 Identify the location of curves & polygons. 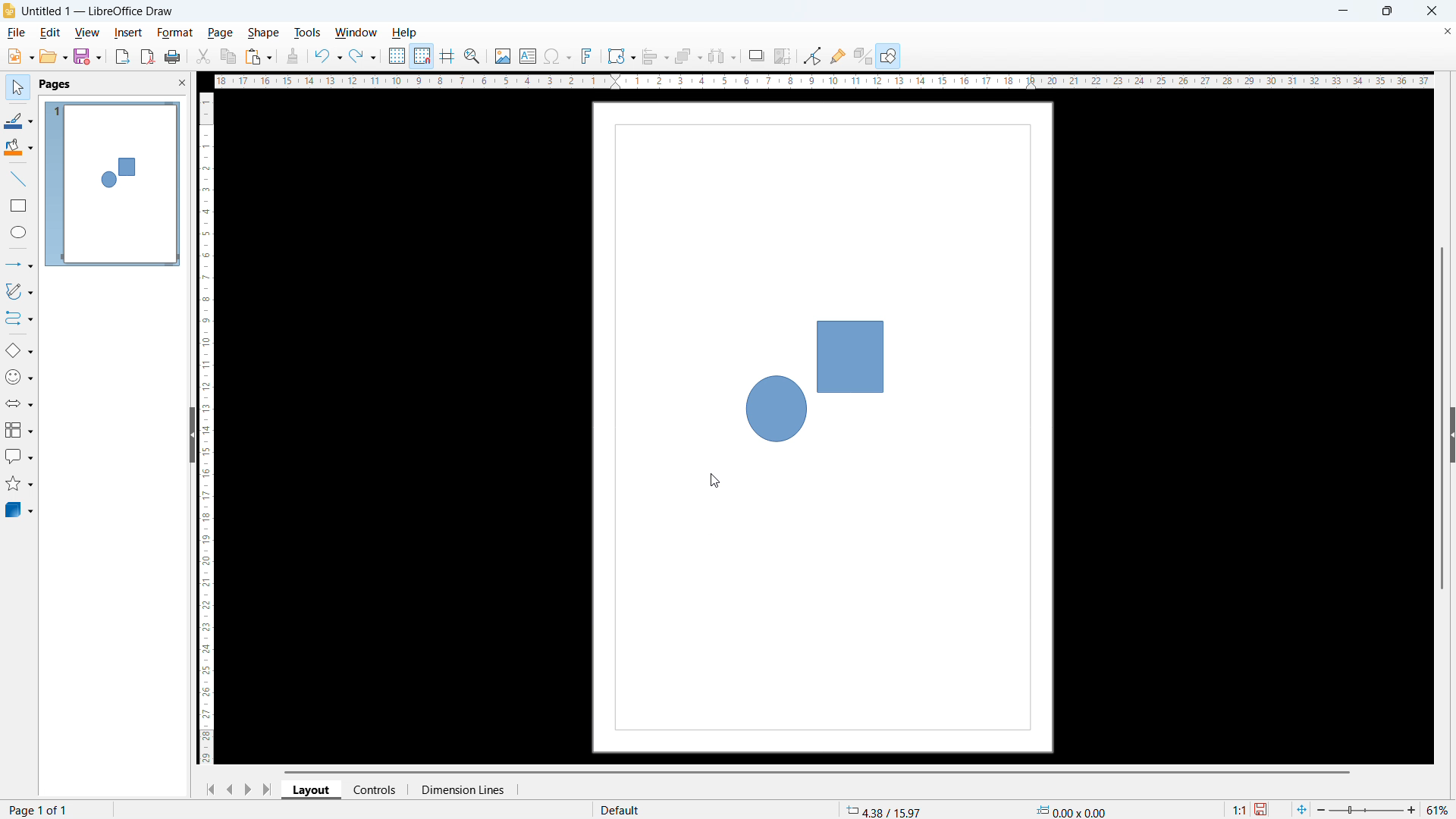
(20, 291).